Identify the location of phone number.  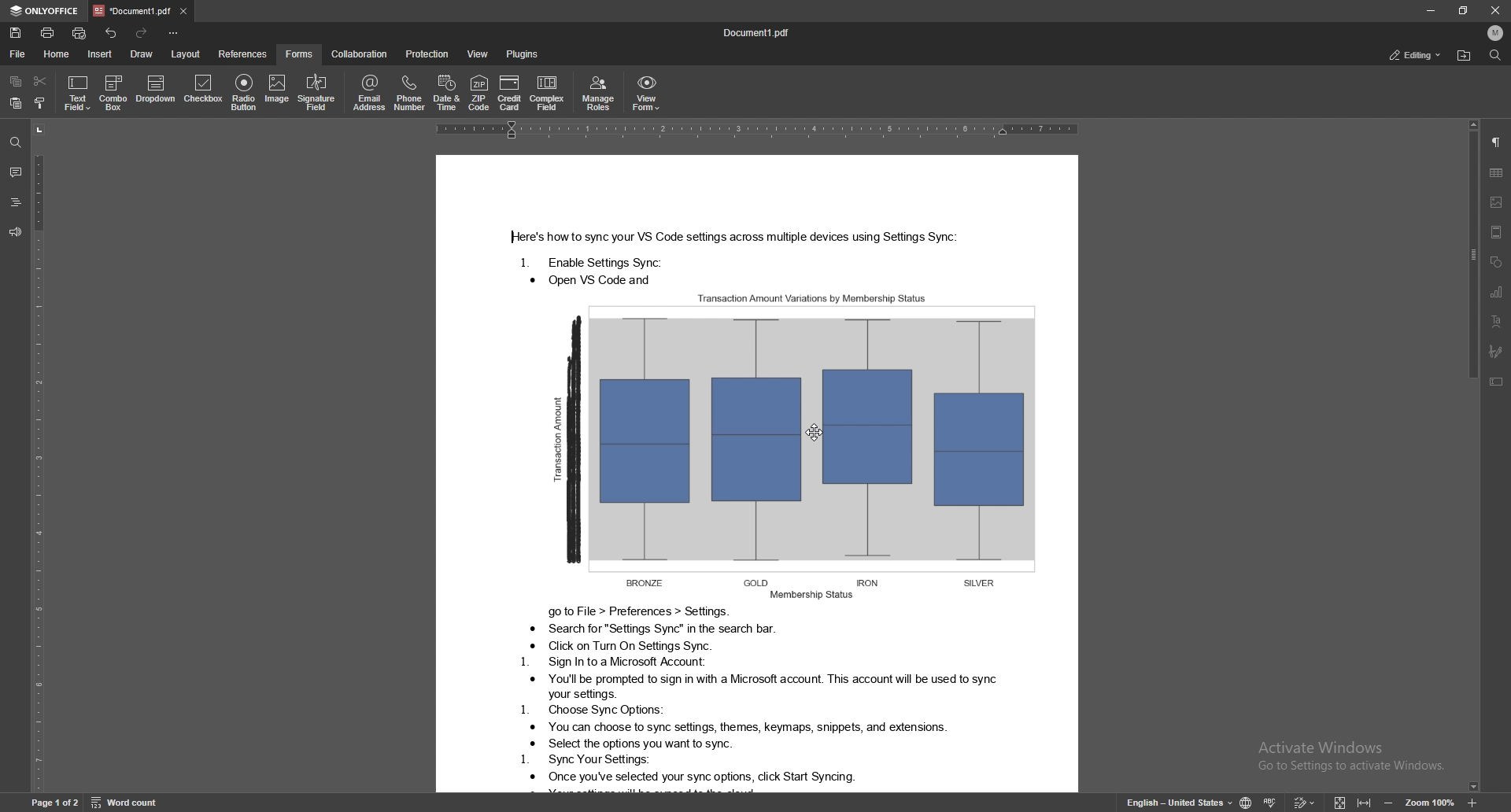
(409, 92).